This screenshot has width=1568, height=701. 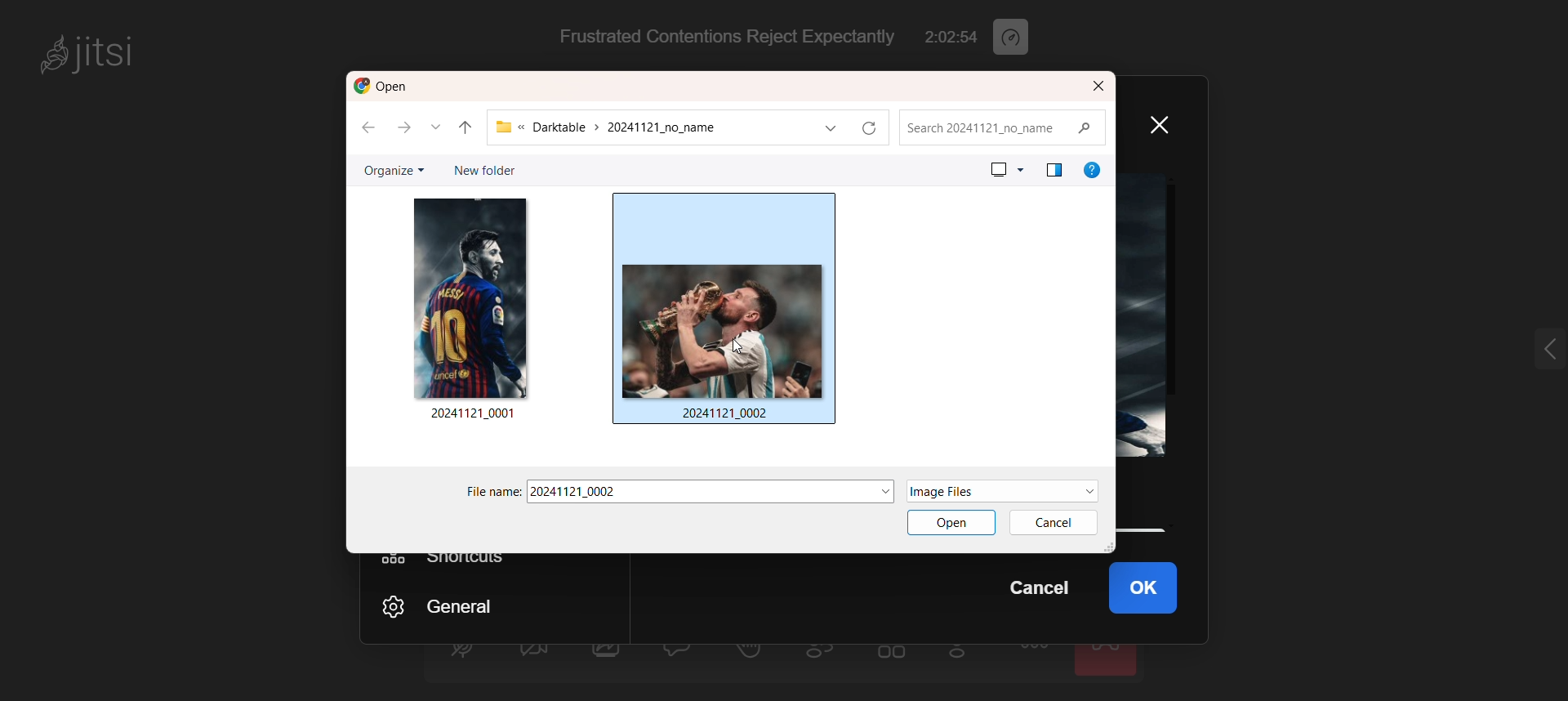 I want to click on cursor, so click(x=733, y=344).